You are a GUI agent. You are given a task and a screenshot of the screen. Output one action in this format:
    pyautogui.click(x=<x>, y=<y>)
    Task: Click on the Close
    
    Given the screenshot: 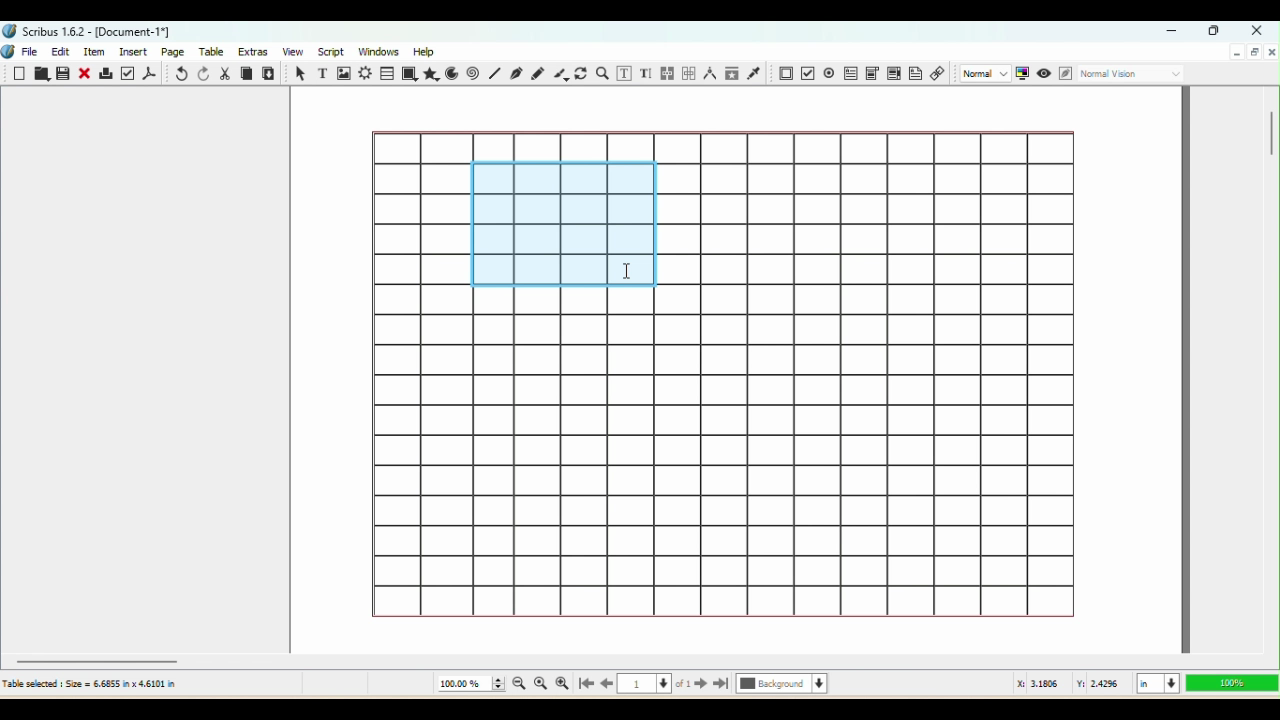 What is the action you would take?
    pyautogui.click(x=1254, y=29)
    